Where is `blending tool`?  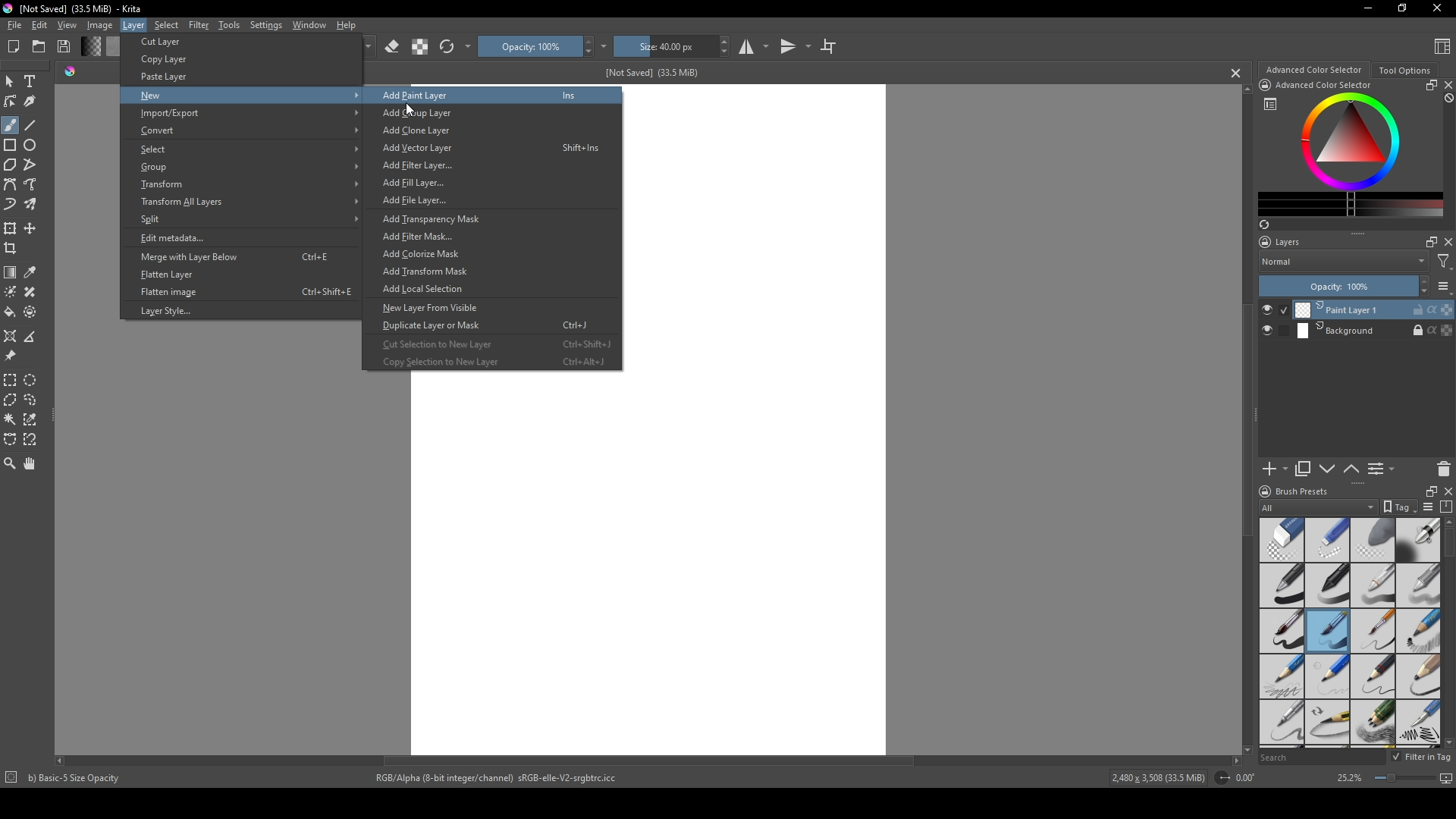 blending tool is located at coordinates (1418, 539).